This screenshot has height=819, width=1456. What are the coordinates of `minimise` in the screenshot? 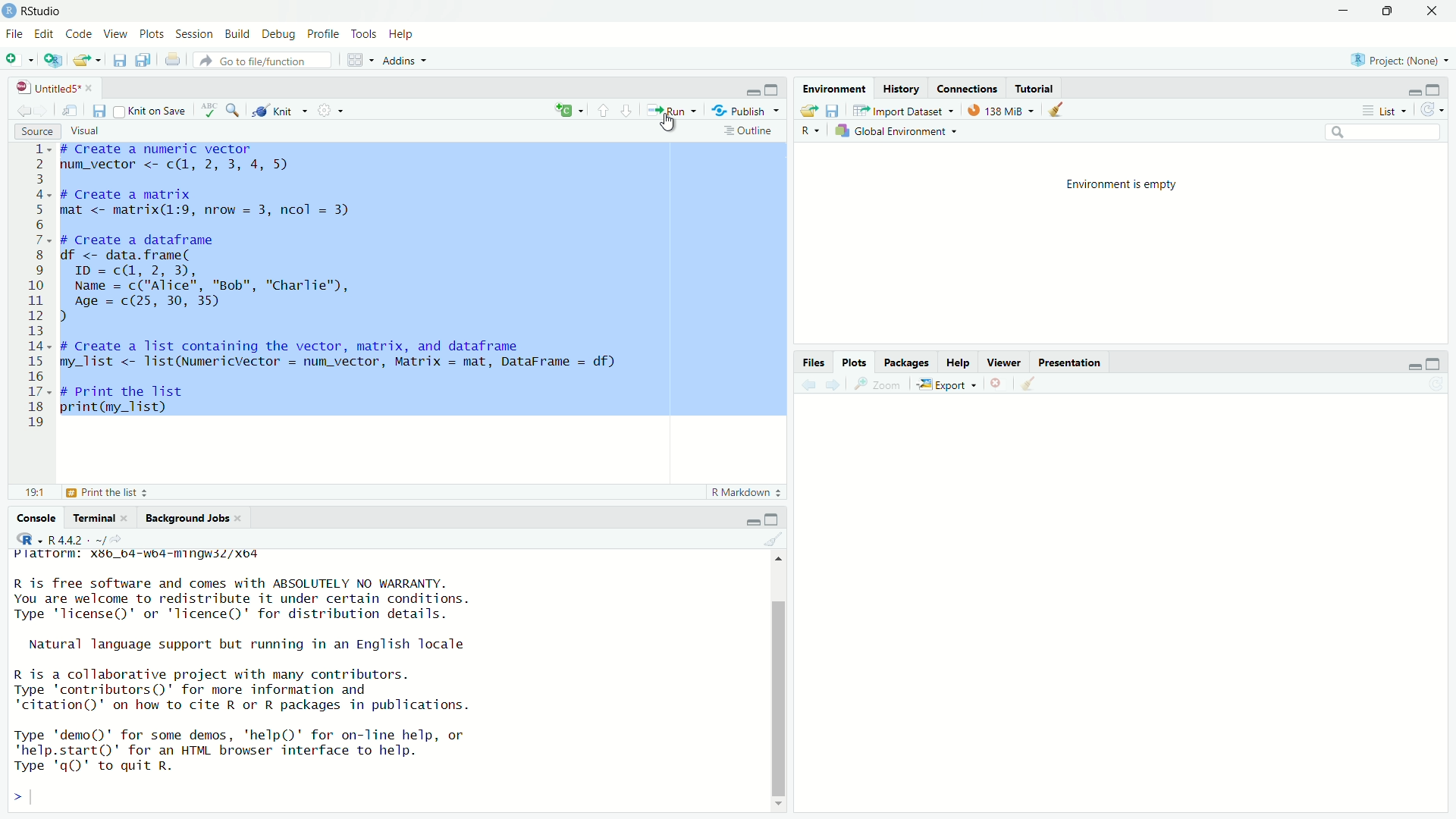 It's located at (1330, 14).